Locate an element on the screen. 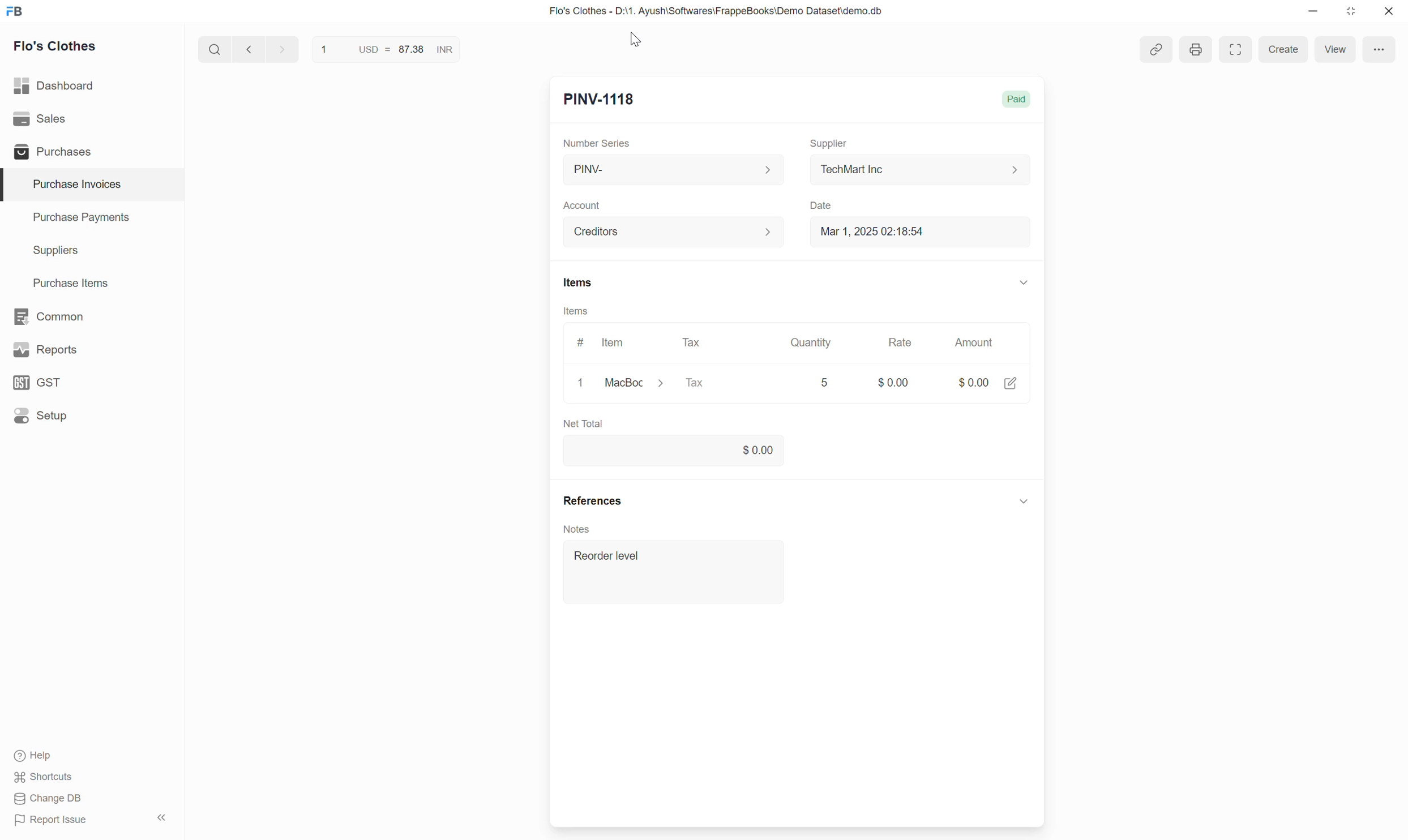 The image size is (1408, 840). Collapse is located at coordinates (161, 817).